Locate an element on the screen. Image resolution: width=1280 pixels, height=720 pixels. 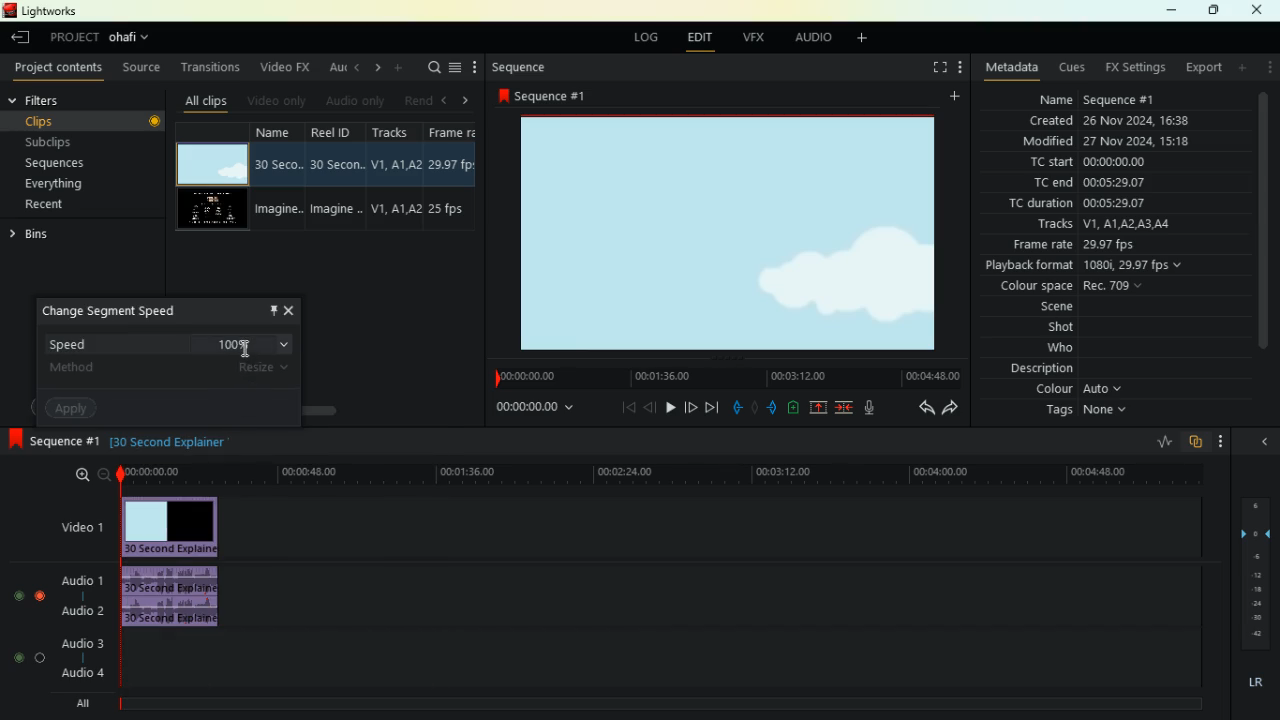
name is located at coordinates (282, 178).